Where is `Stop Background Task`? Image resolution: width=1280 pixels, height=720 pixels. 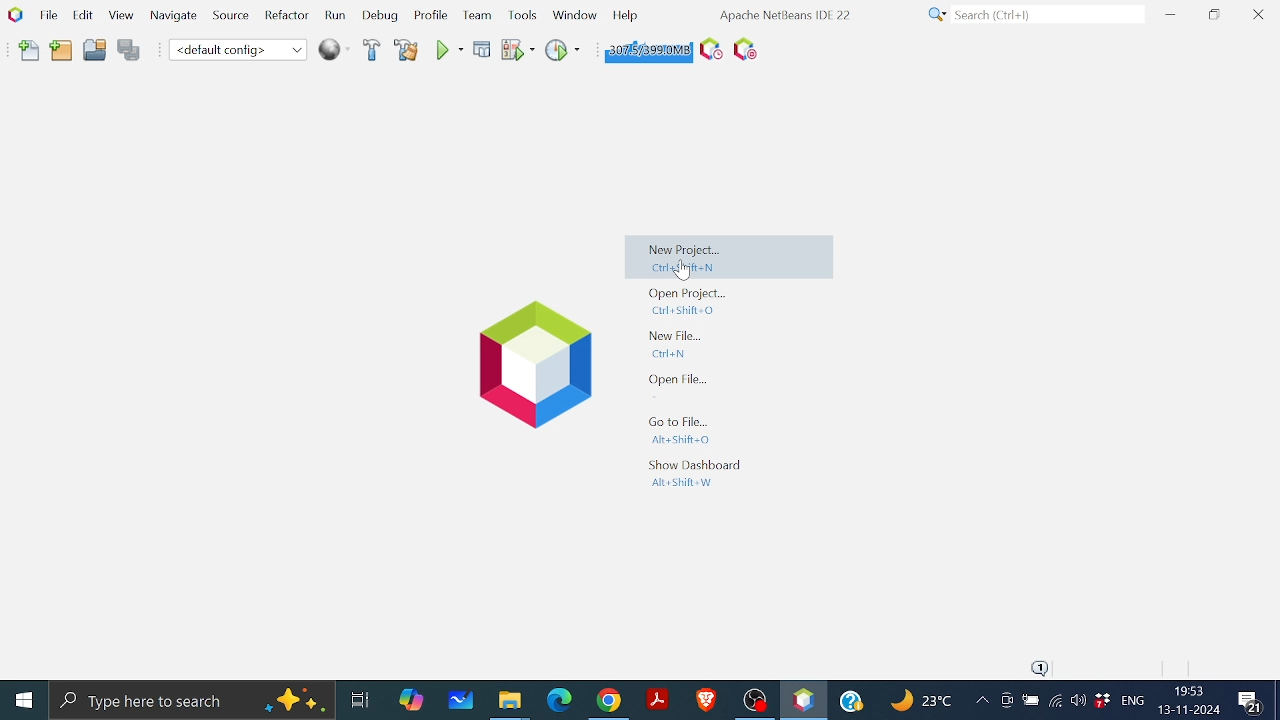 Stop Background Task is located at coordinates (744, 50).